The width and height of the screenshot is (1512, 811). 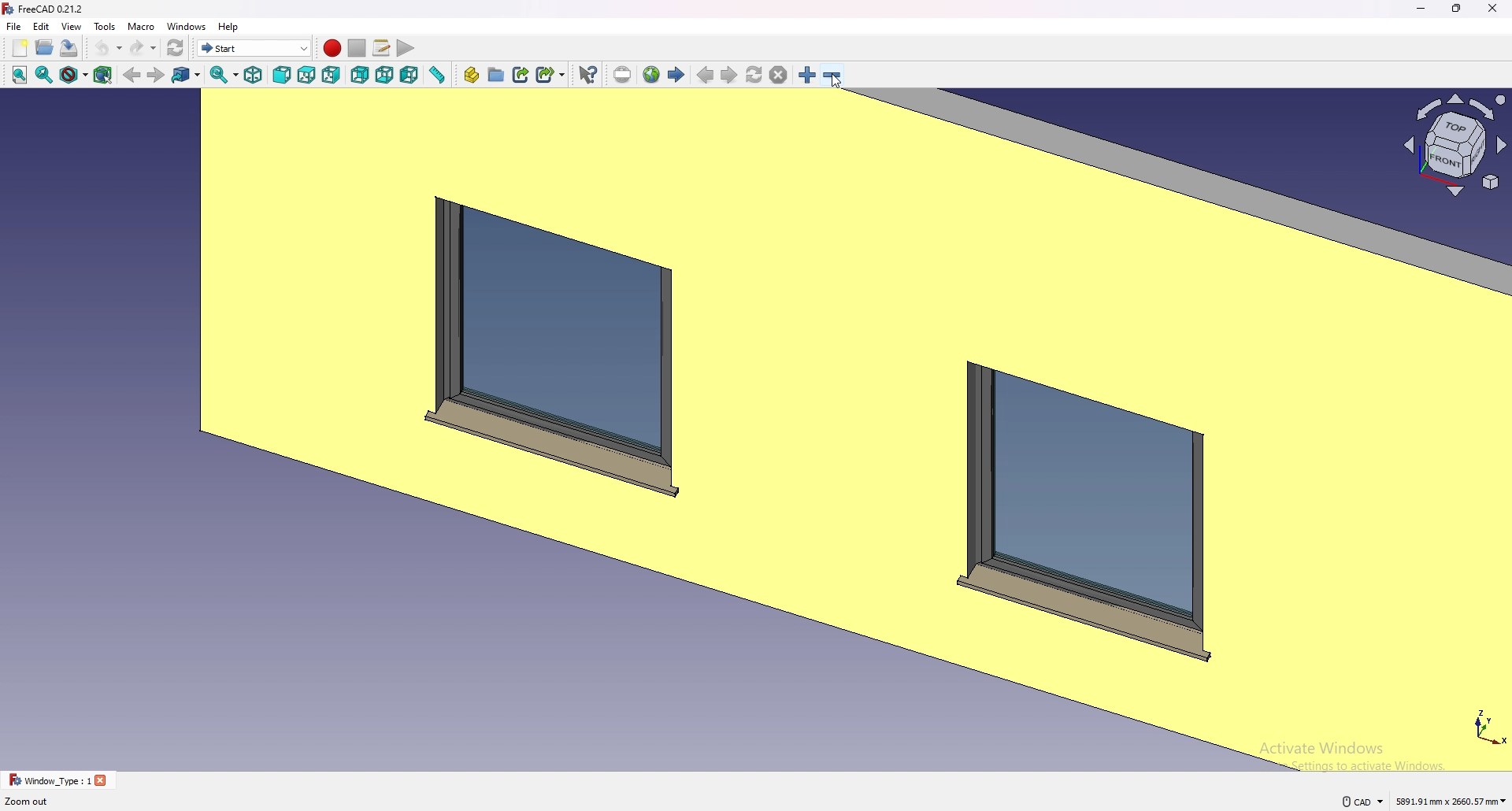 What do you see at coordinates (283, 76) in the screenshot?
I see `front` at bounding box center [283, 76].